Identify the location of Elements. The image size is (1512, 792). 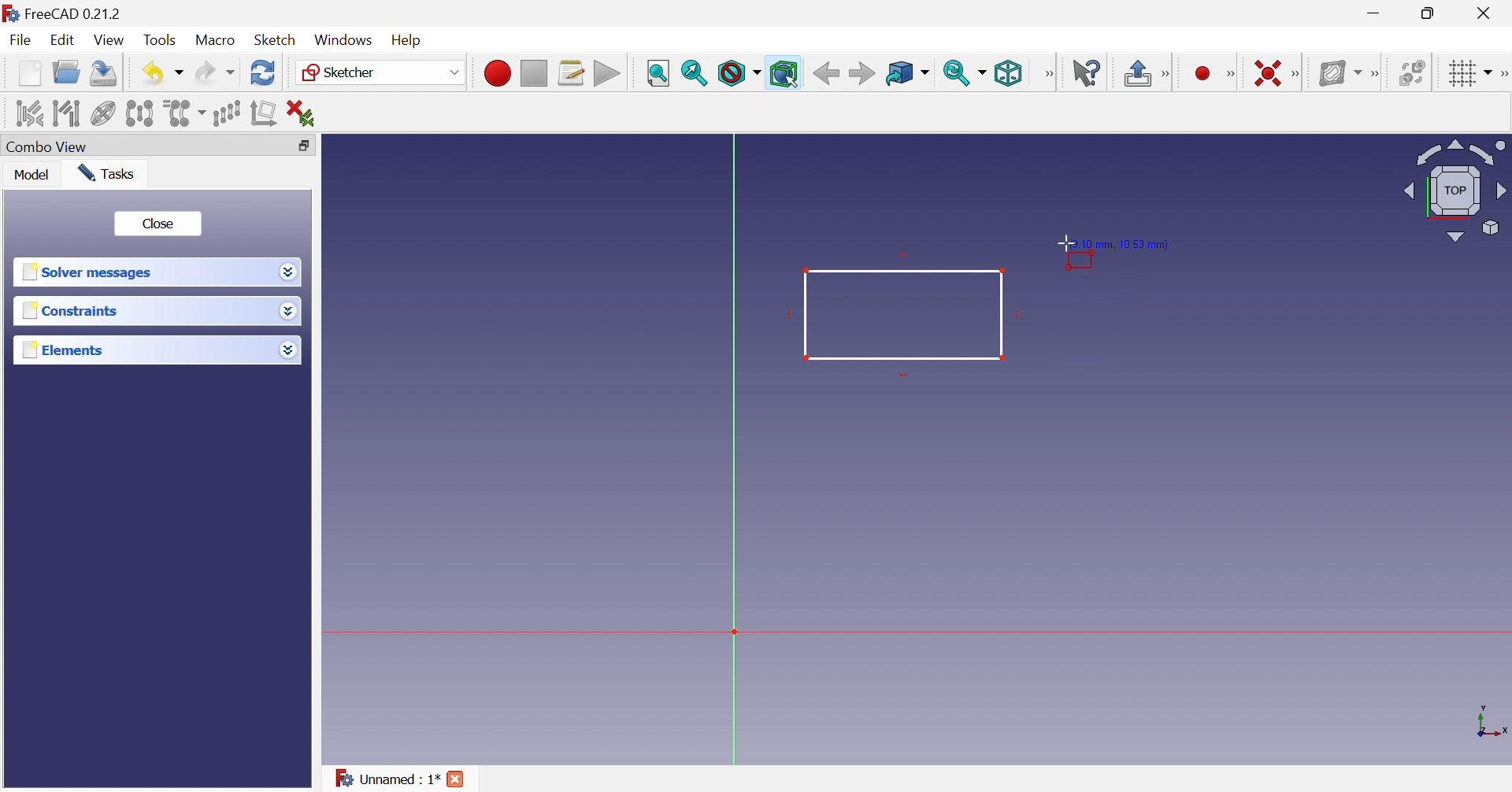
(65, 350).